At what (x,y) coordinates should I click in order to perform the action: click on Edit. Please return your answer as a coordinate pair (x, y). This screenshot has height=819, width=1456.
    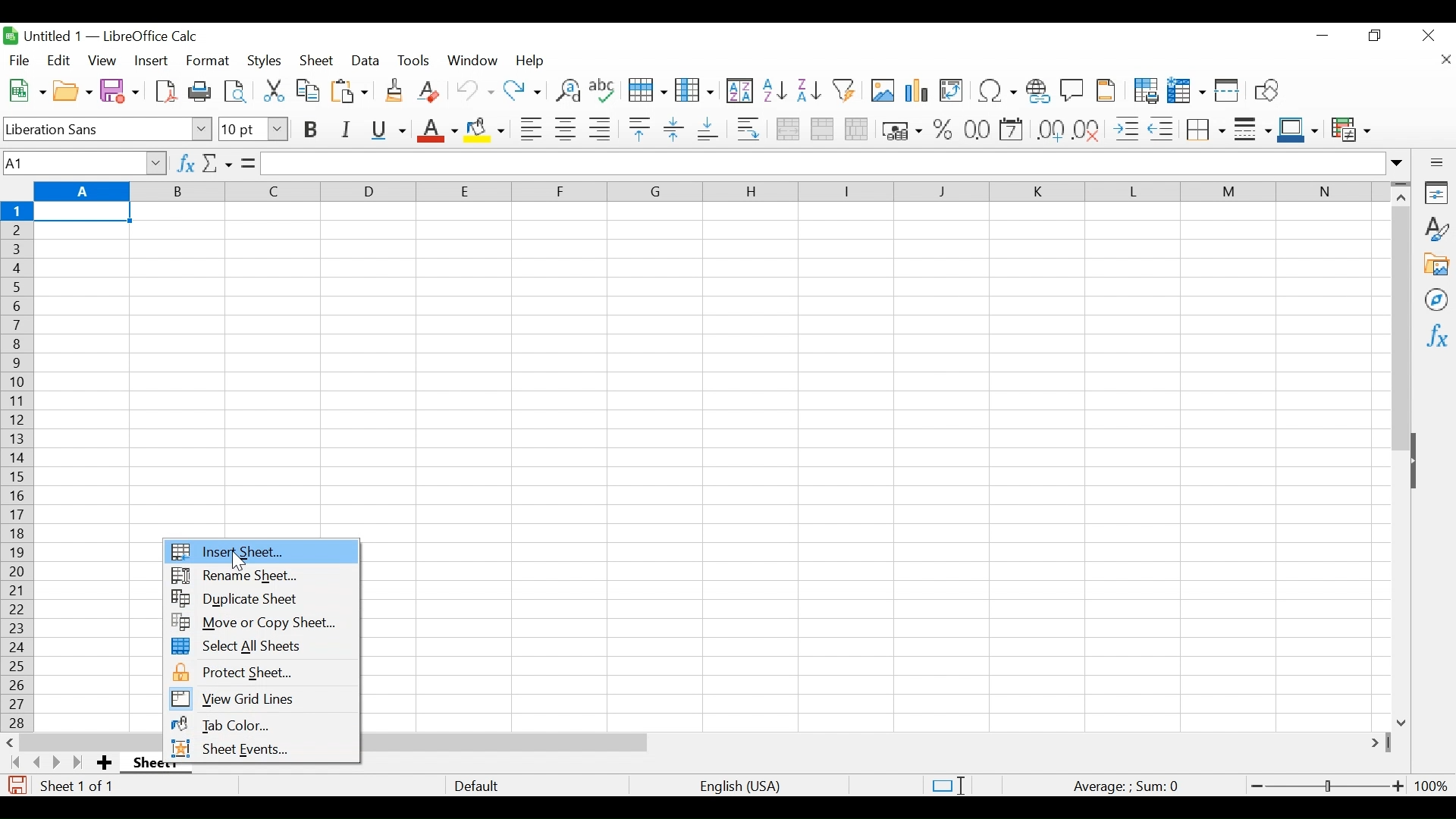
    Looking at the image, I should click on (58, 60).